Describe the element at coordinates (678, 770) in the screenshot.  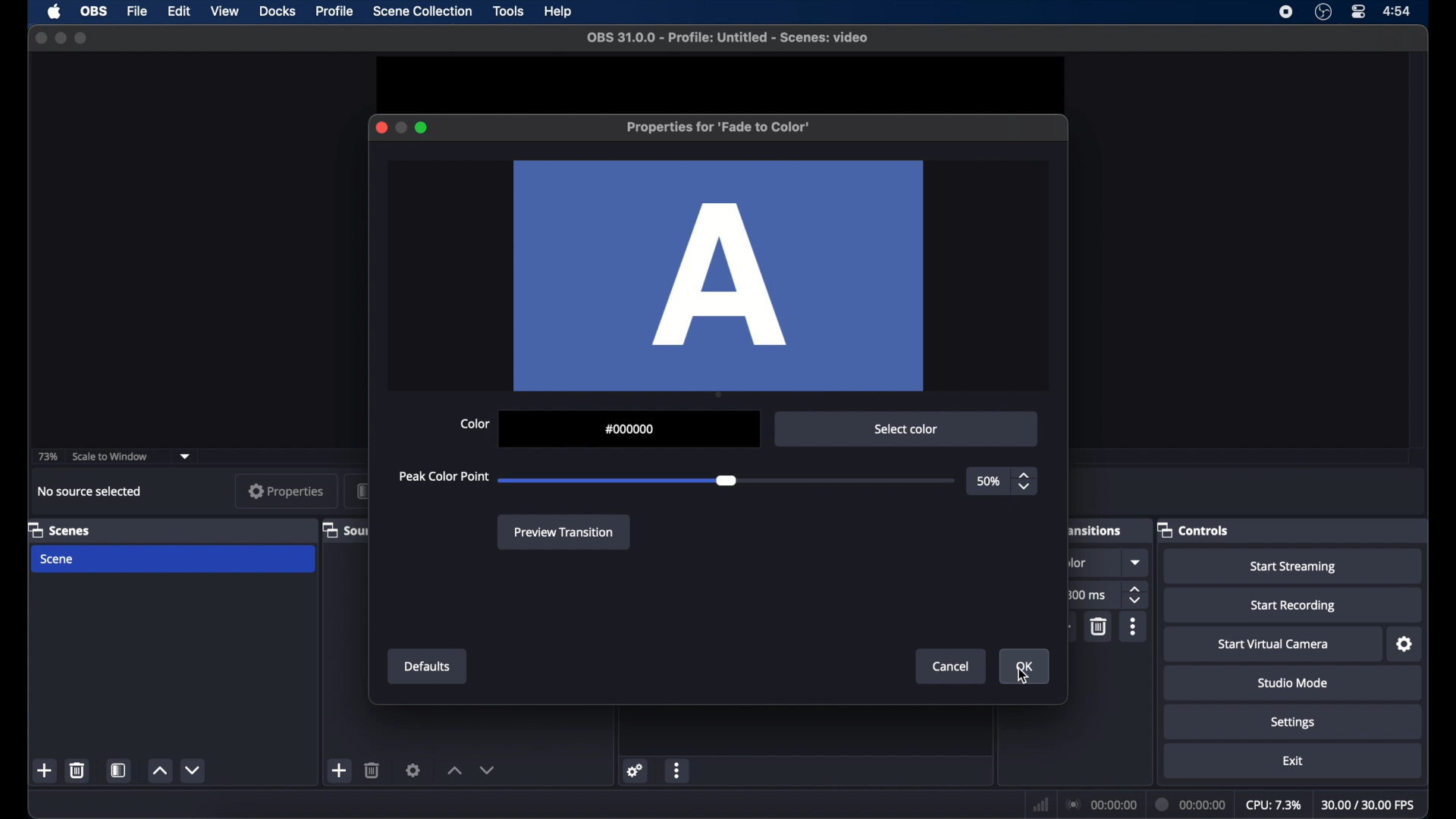
I see `more options` at that location.